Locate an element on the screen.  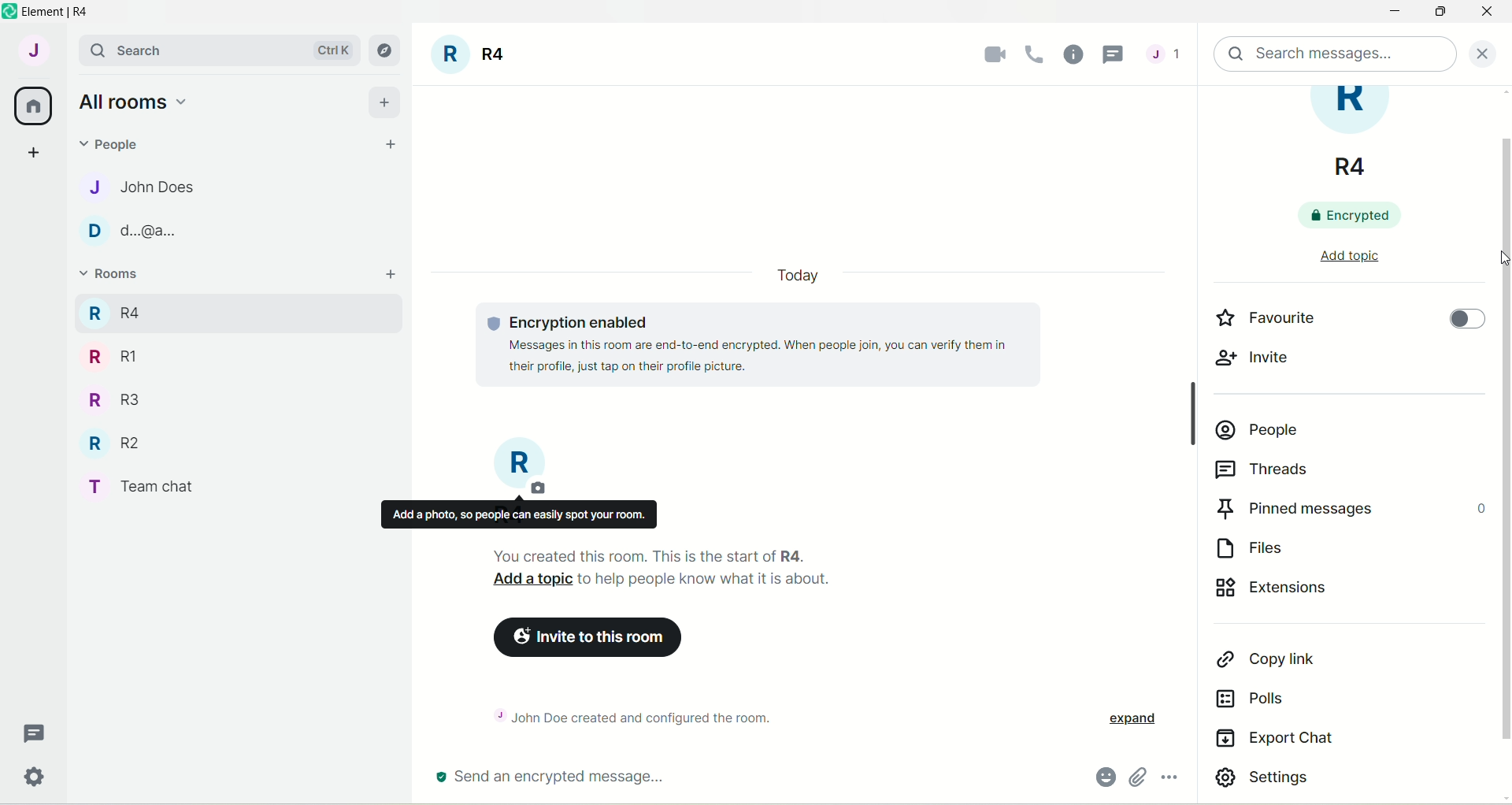
R R4 is located at coordinates (113, 310).